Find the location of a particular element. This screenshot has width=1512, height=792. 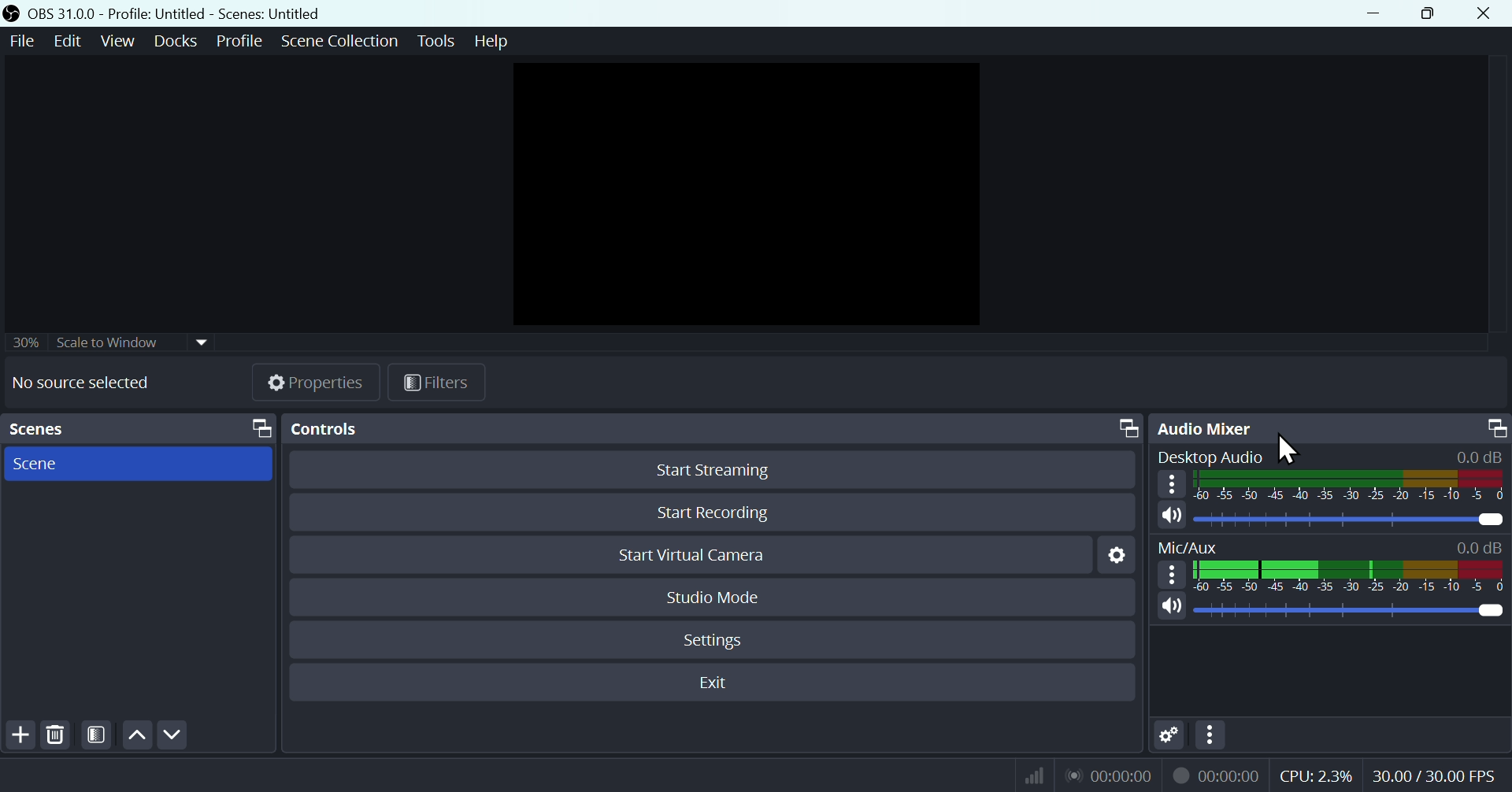

More options is located at coordinates (1169, 485).